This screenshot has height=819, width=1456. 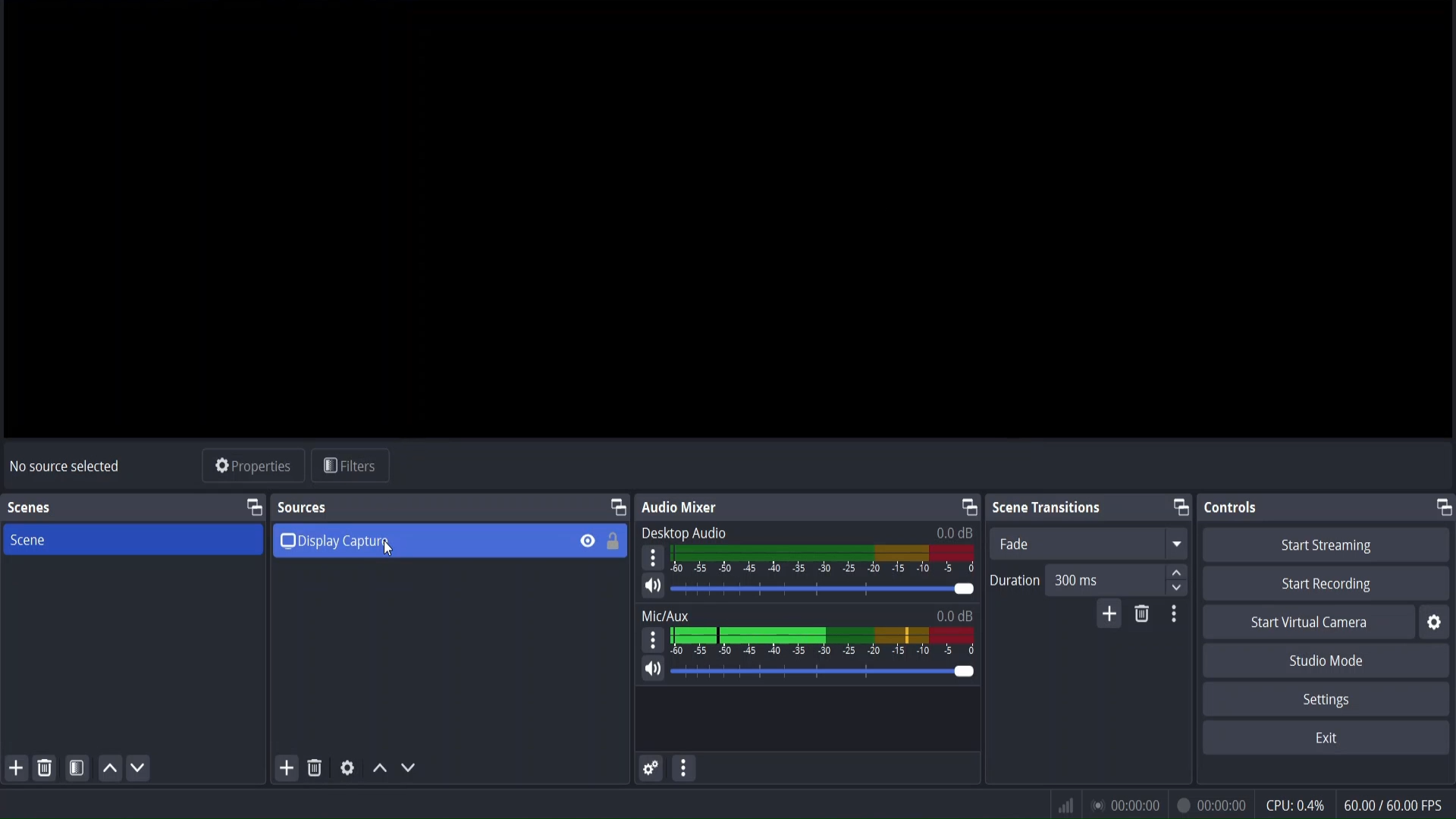 What do you see at coordinates (679, 507) in the screenshot?
I see `audio mixer` at bounding box center [679, 507].